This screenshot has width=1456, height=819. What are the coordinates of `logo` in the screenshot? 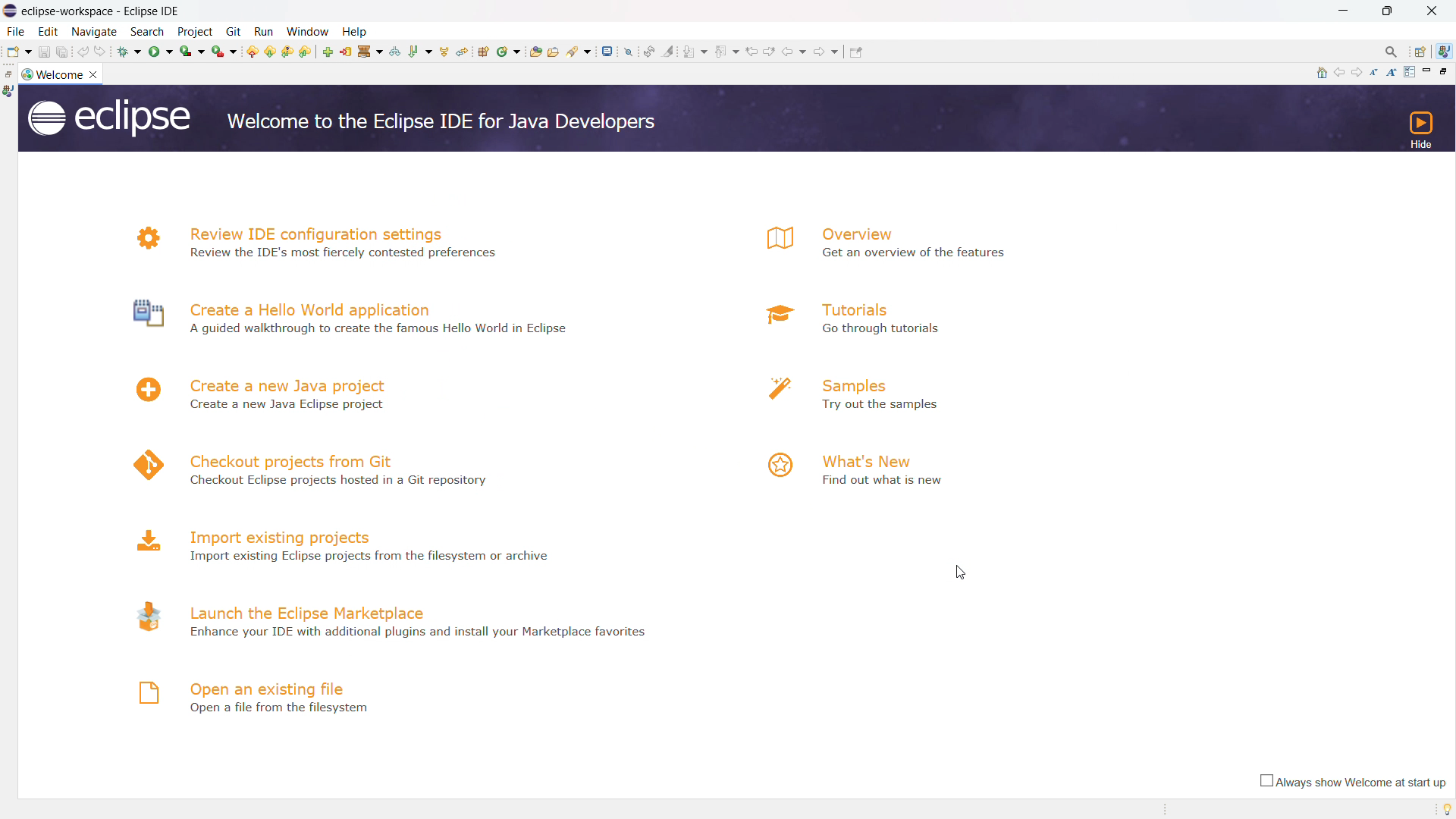 It's located at (144, 615).